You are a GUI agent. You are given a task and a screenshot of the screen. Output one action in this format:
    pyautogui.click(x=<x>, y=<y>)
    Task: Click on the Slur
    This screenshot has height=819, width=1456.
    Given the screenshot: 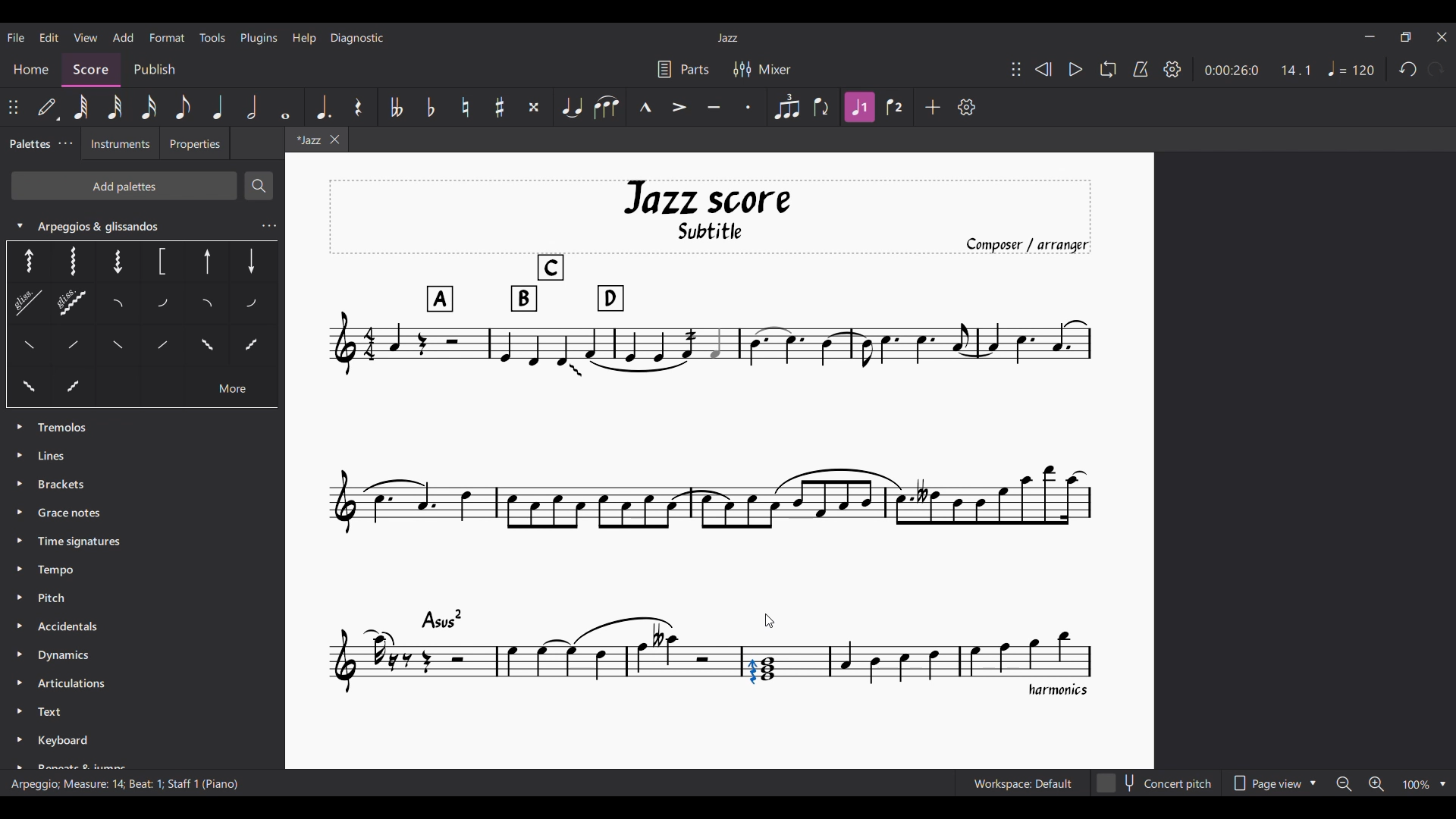 What is the action you would take?
    pyautogui.click(x=606, y=108)
    